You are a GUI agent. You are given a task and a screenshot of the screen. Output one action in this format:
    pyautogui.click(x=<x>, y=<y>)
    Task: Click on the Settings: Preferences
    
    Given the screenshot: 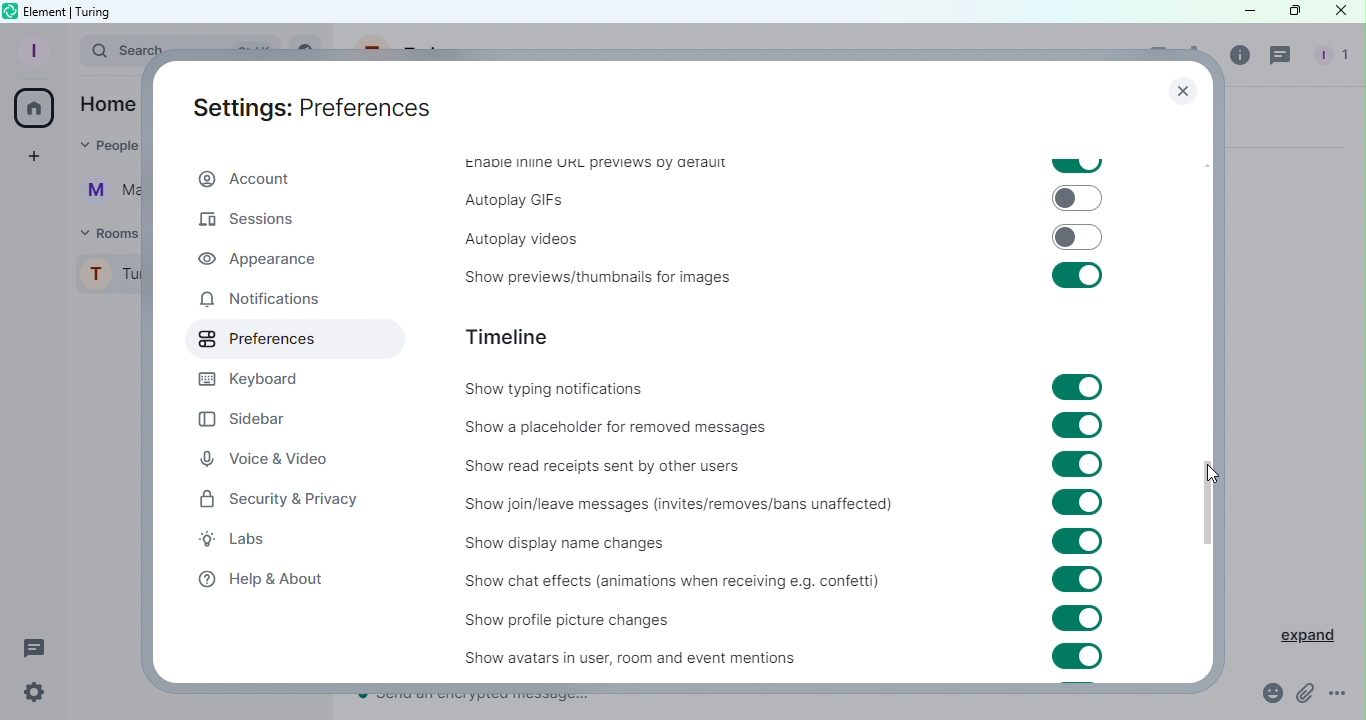 What is the action you would take?
    pyautogui.click(x=304, y=110)
    